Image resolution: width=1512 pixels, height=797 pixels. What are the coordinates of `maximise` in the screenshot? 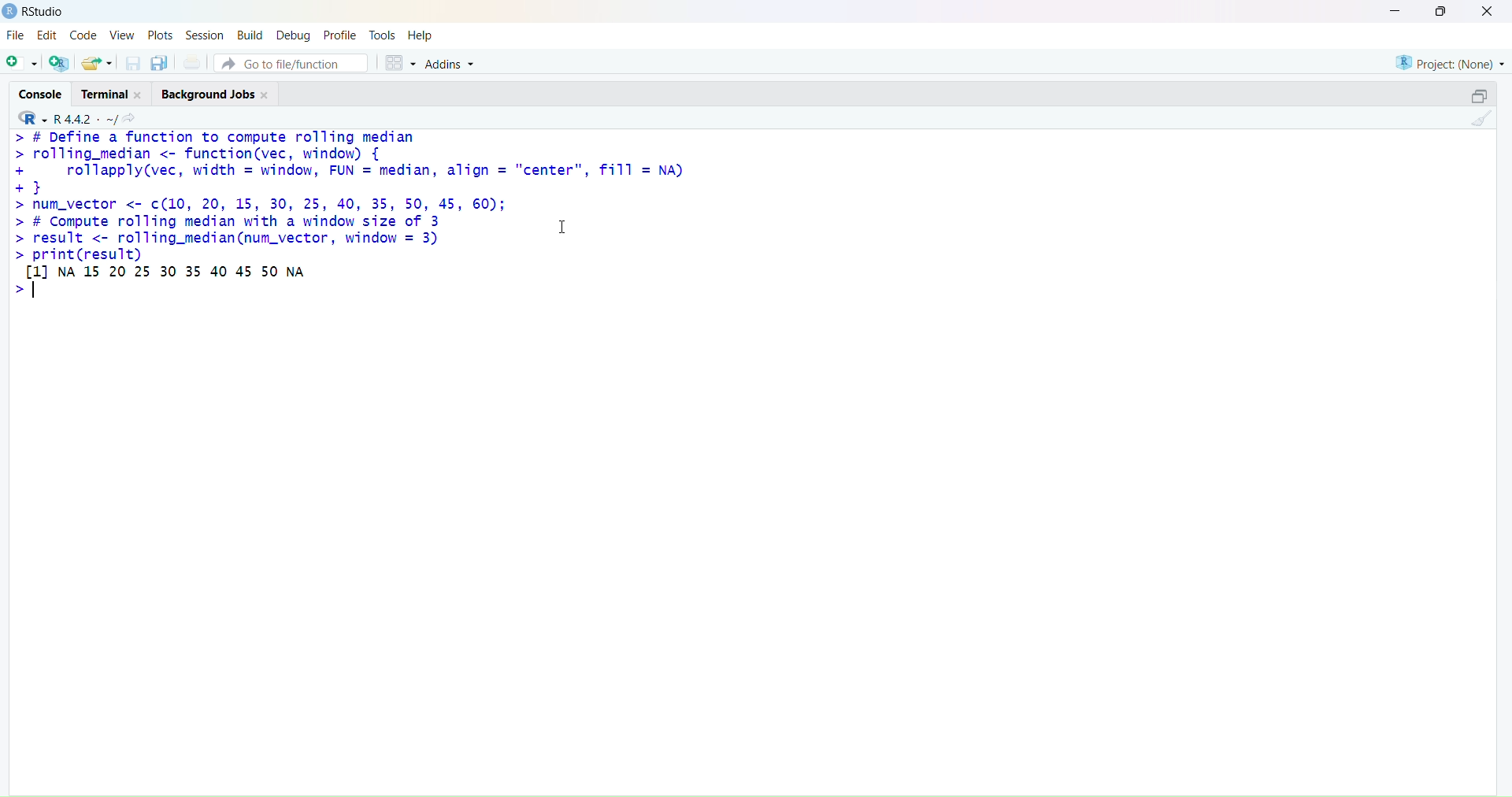 It's located at (1440, 11).